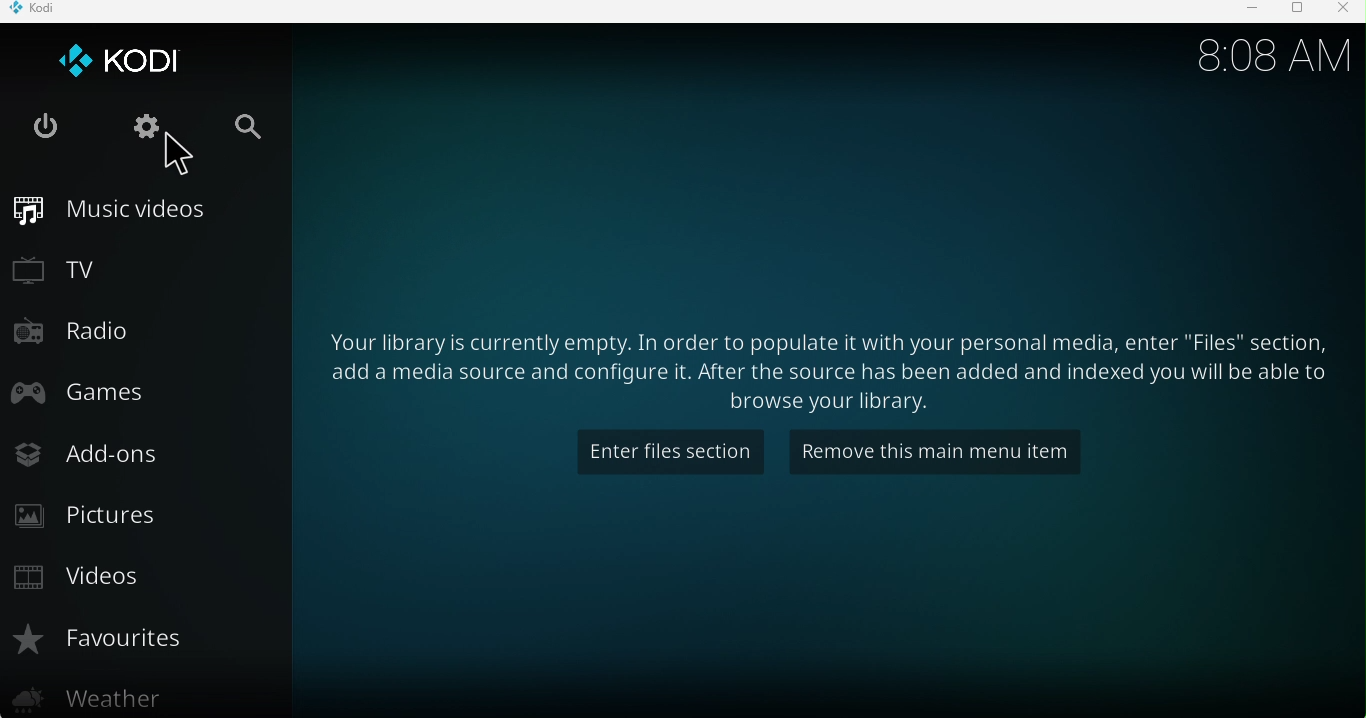 The height and width of the screenshot is (718, 1366). What do you see at coordinates (141, 128) in the screenshot?
I see `Settings` at bounding box center [141, 128].